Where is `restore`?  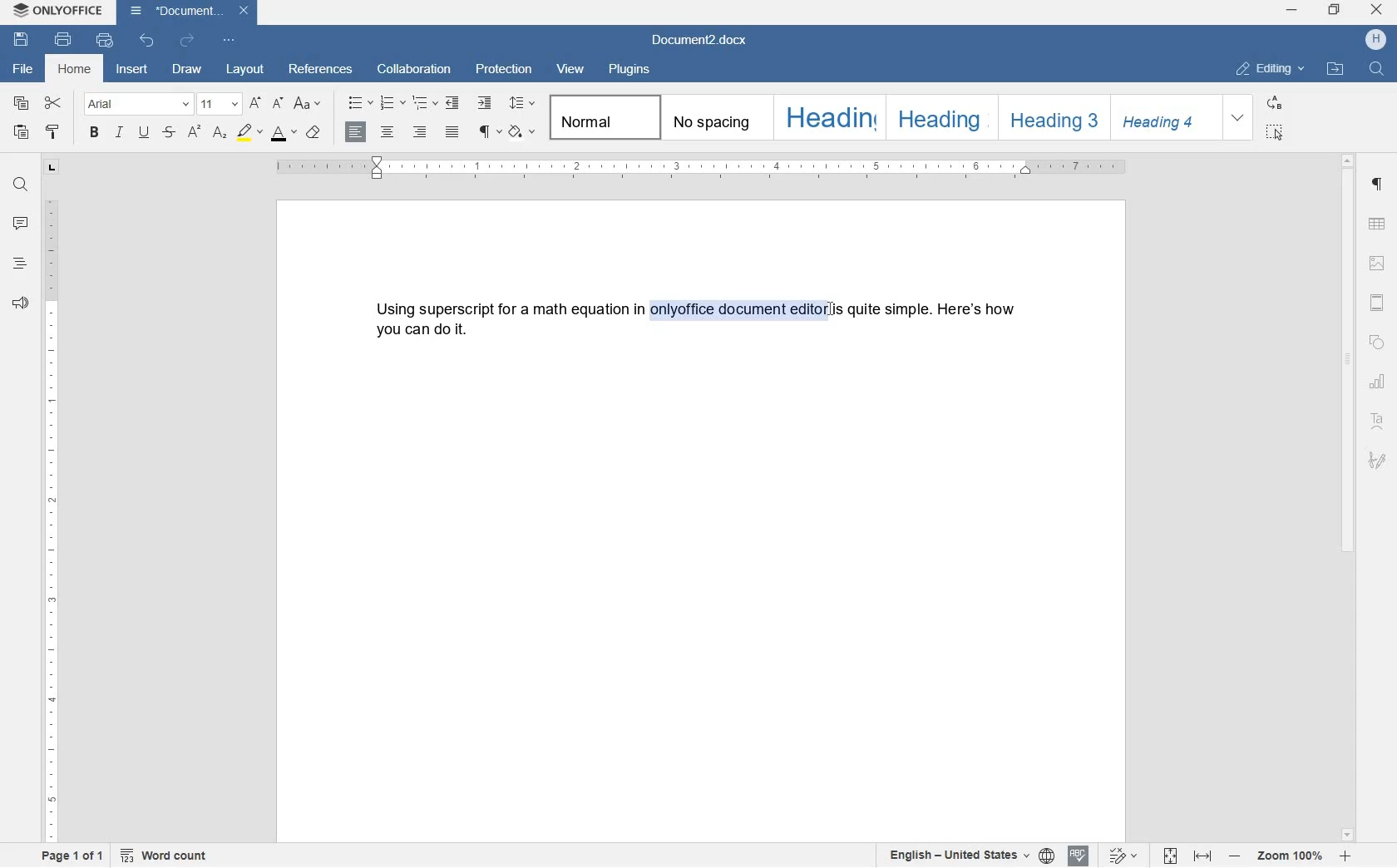 restore is located at coordinates (1335, 9).